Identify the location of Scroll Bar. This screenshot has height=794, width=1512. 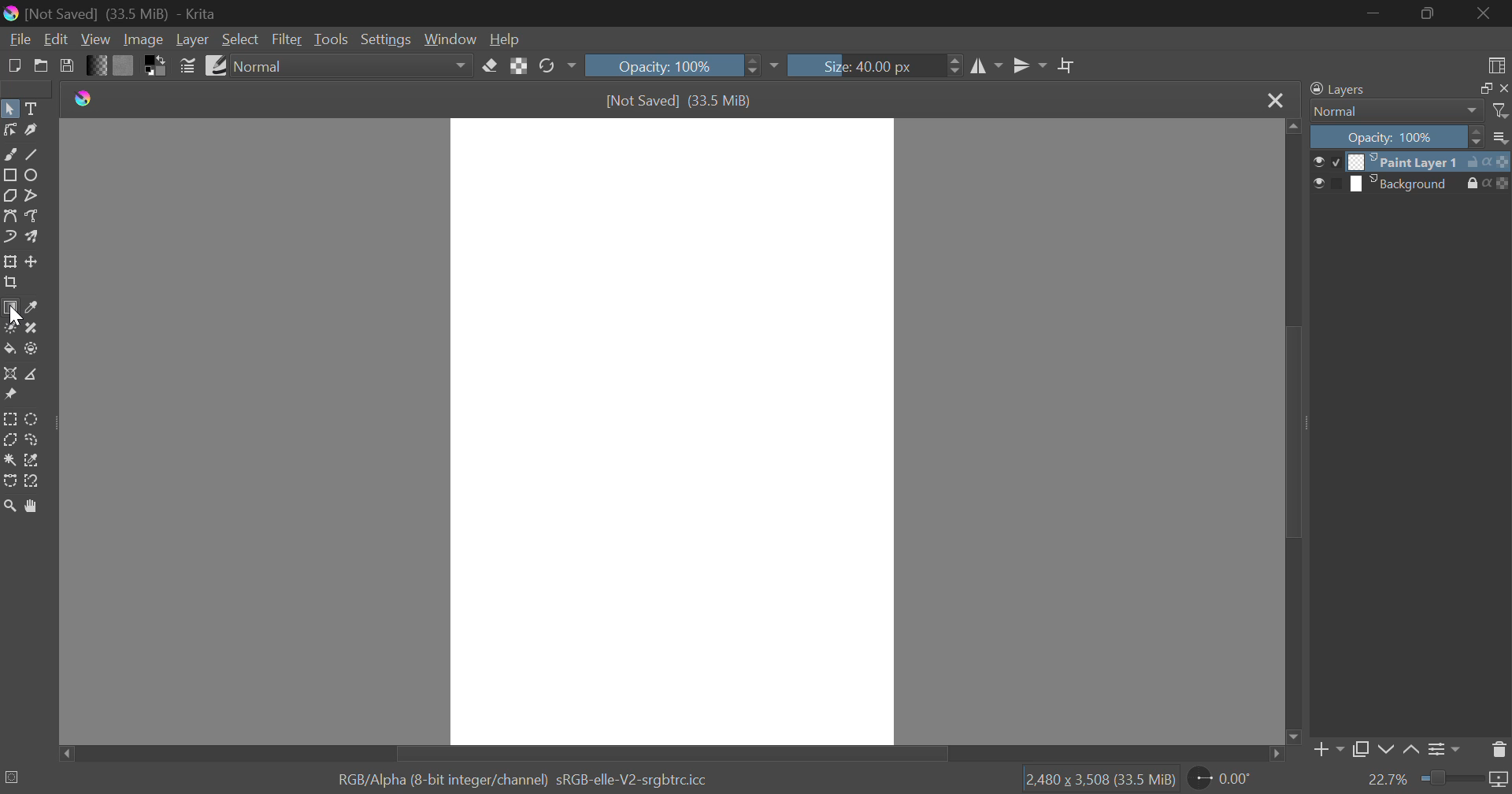
(674, 752).